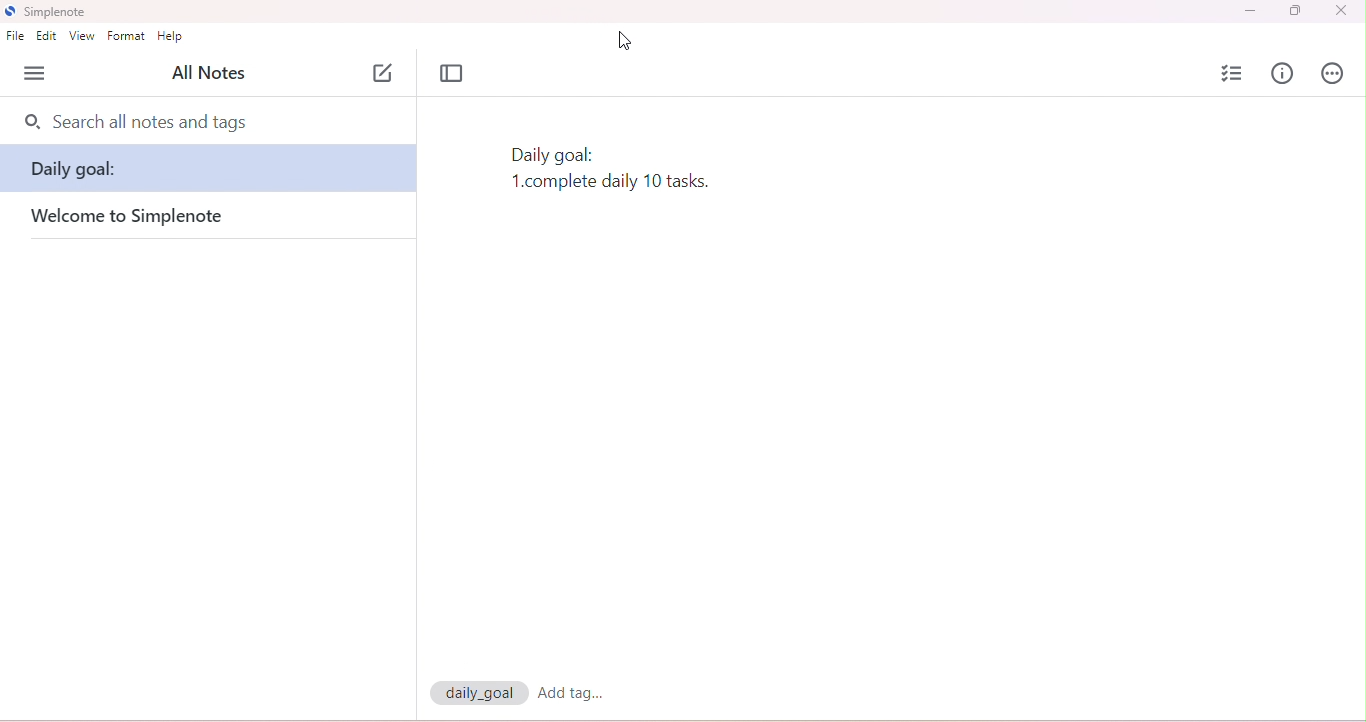  What do you see at coordinates (582, 696) in the screenshot?
I see `add tag` at bounding box center [582, 696].